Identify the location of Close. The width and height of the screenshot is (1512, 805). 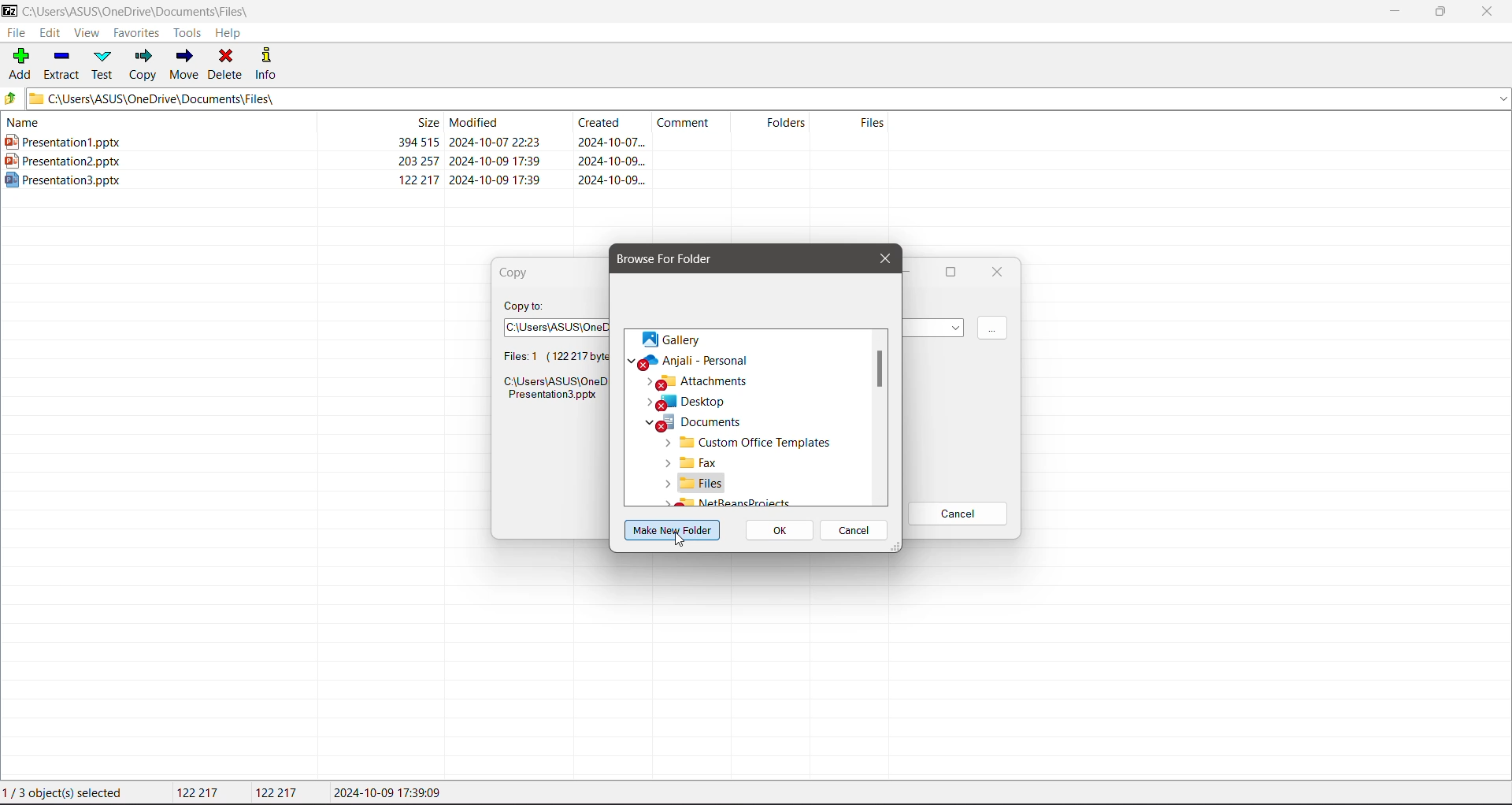
(882, 258).